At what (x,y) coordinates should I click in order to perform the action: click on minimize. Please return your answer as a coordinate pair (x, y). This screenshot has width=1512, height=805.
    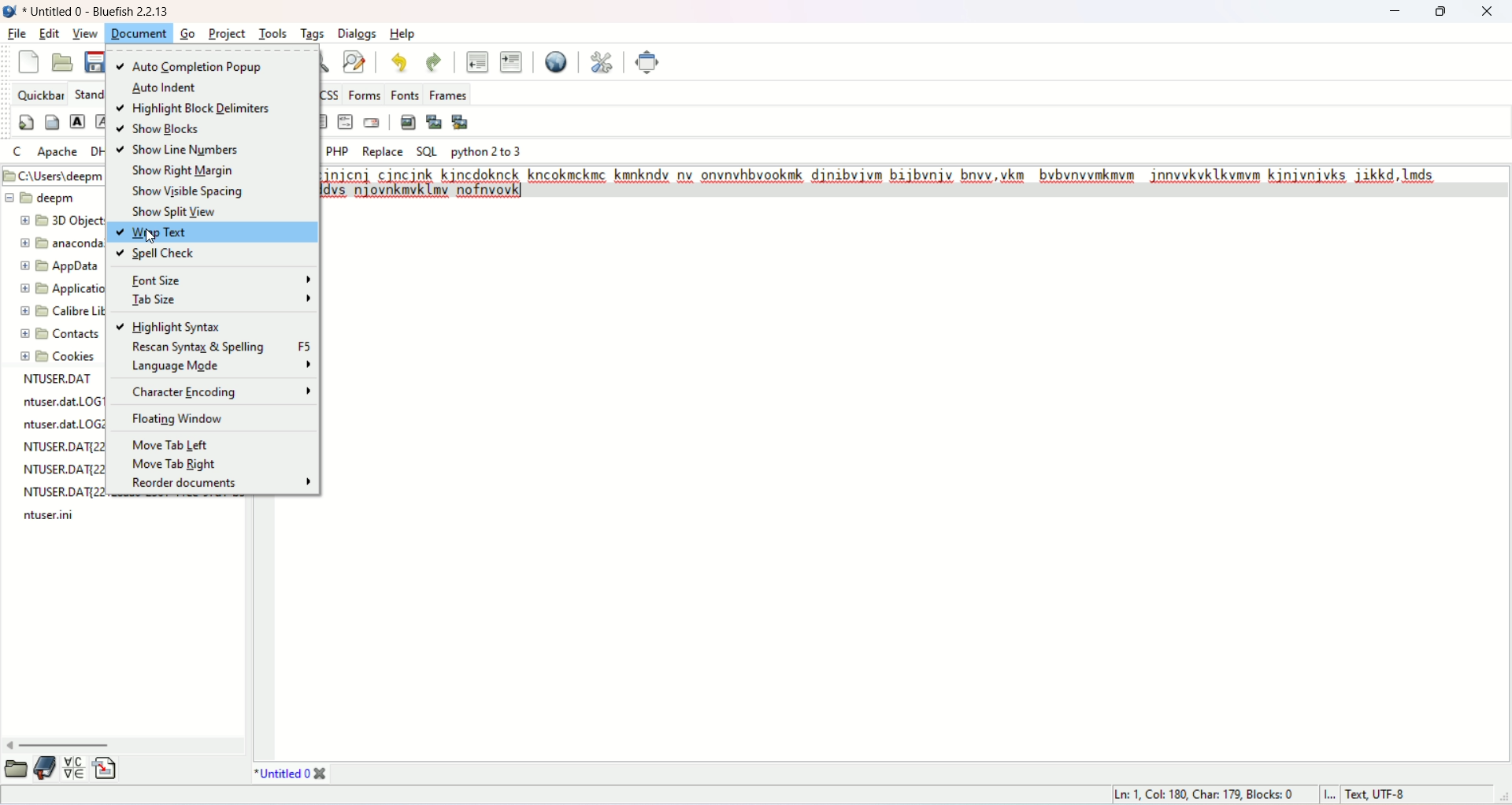
    Looking at the image, I should click on (1388, 13).